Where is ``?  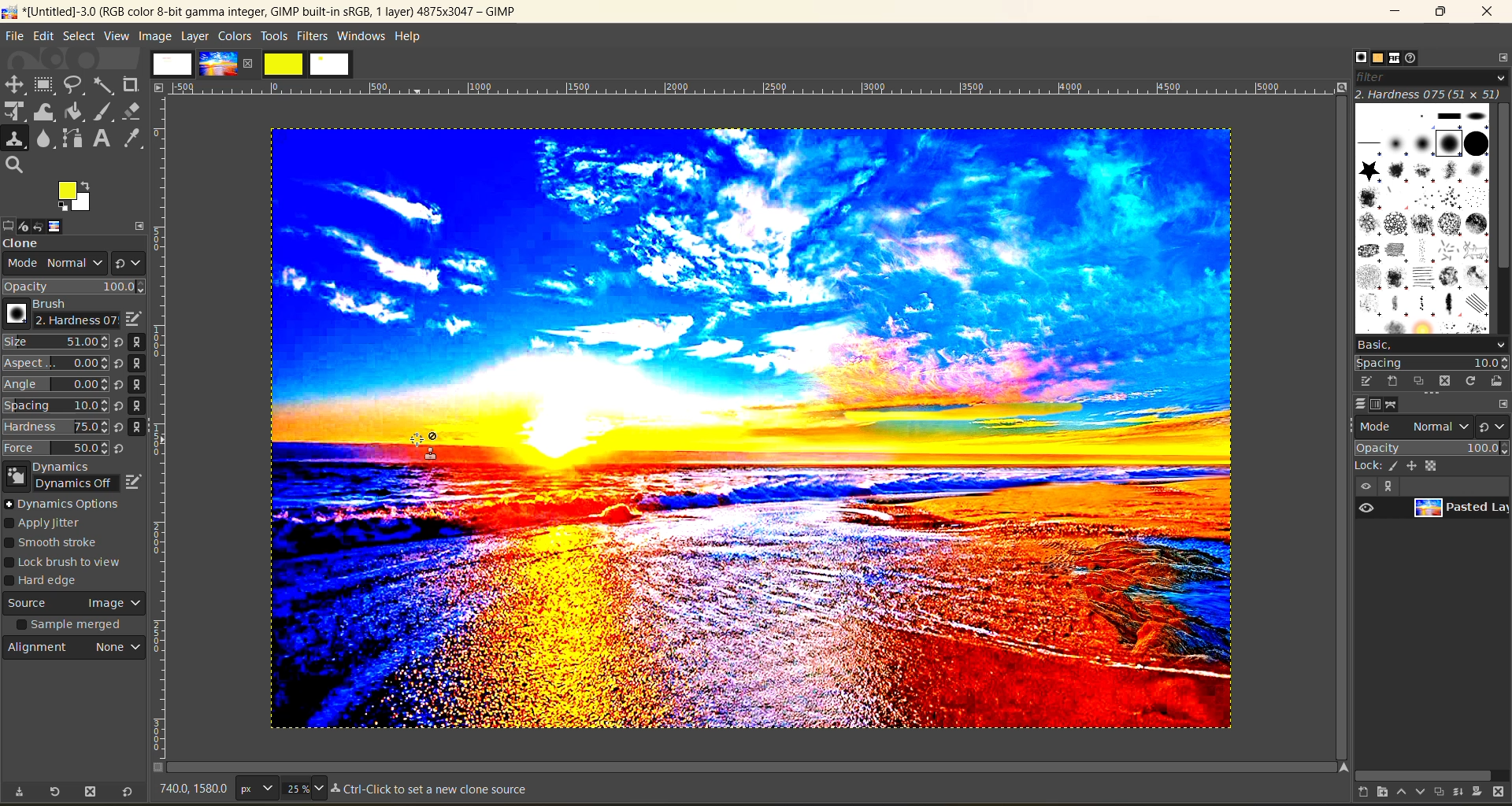
 is located at coordinates (1340, 767).